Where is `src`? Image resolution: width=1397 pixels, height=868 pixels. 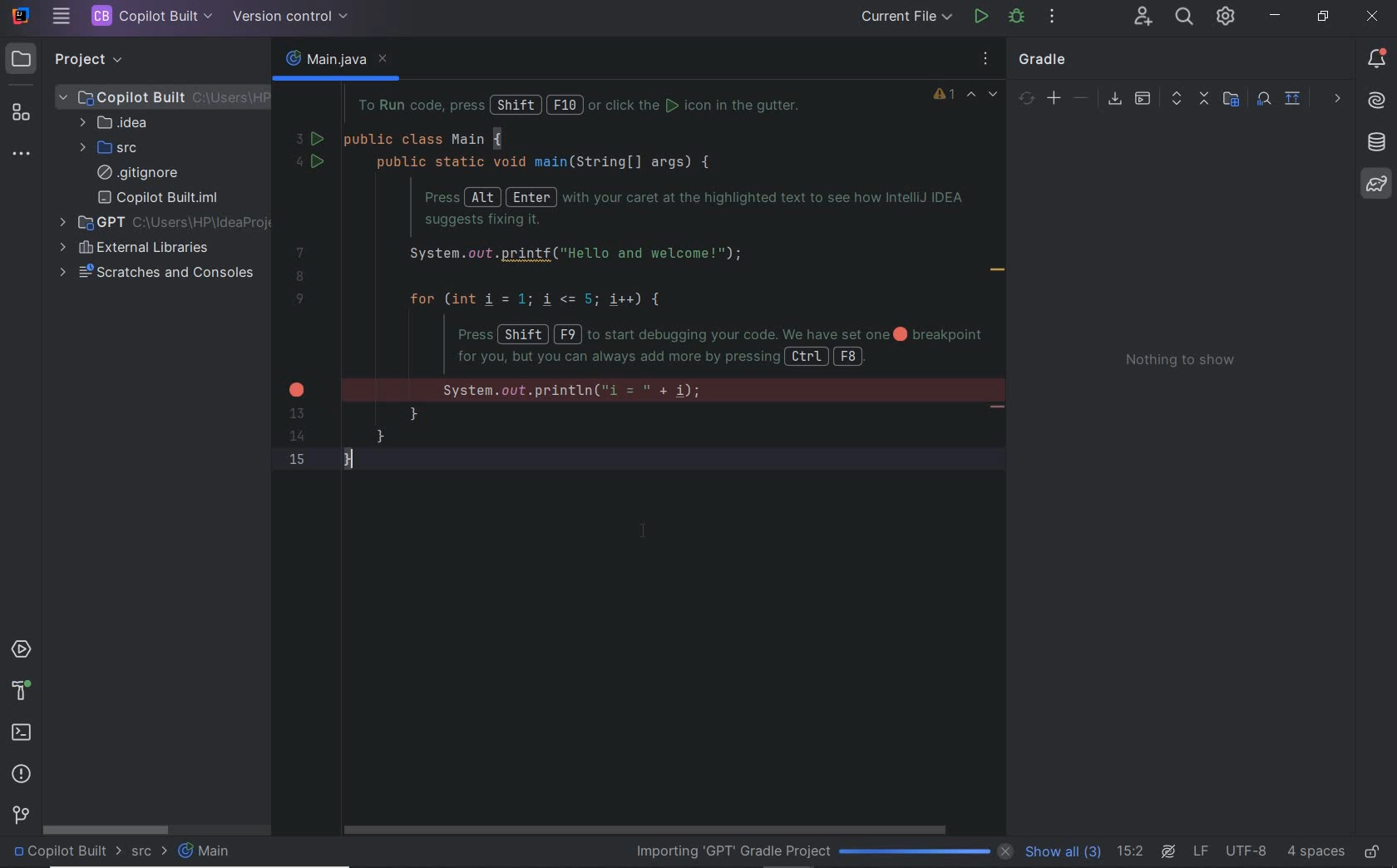
src is located at coordinates (151, 852).